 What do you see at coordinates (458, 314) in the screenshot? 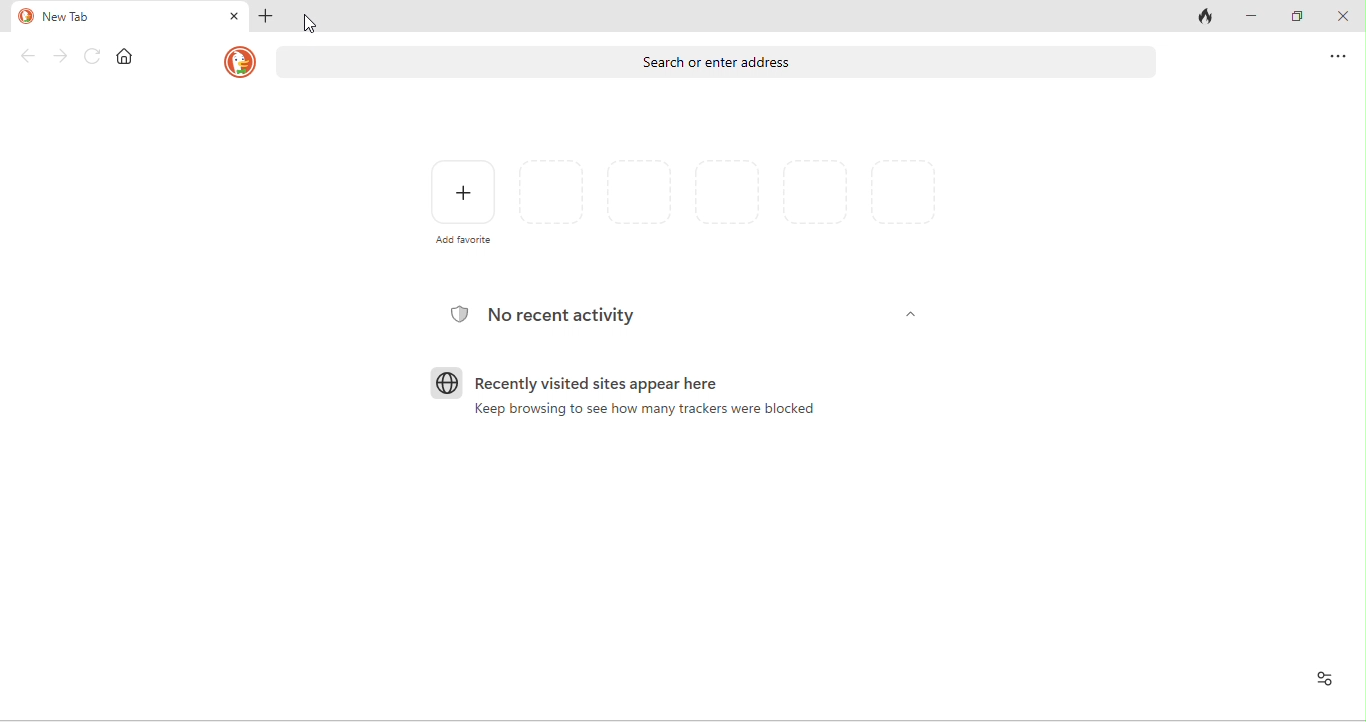
I see `tracking logo` at bounding box center [458, 314].